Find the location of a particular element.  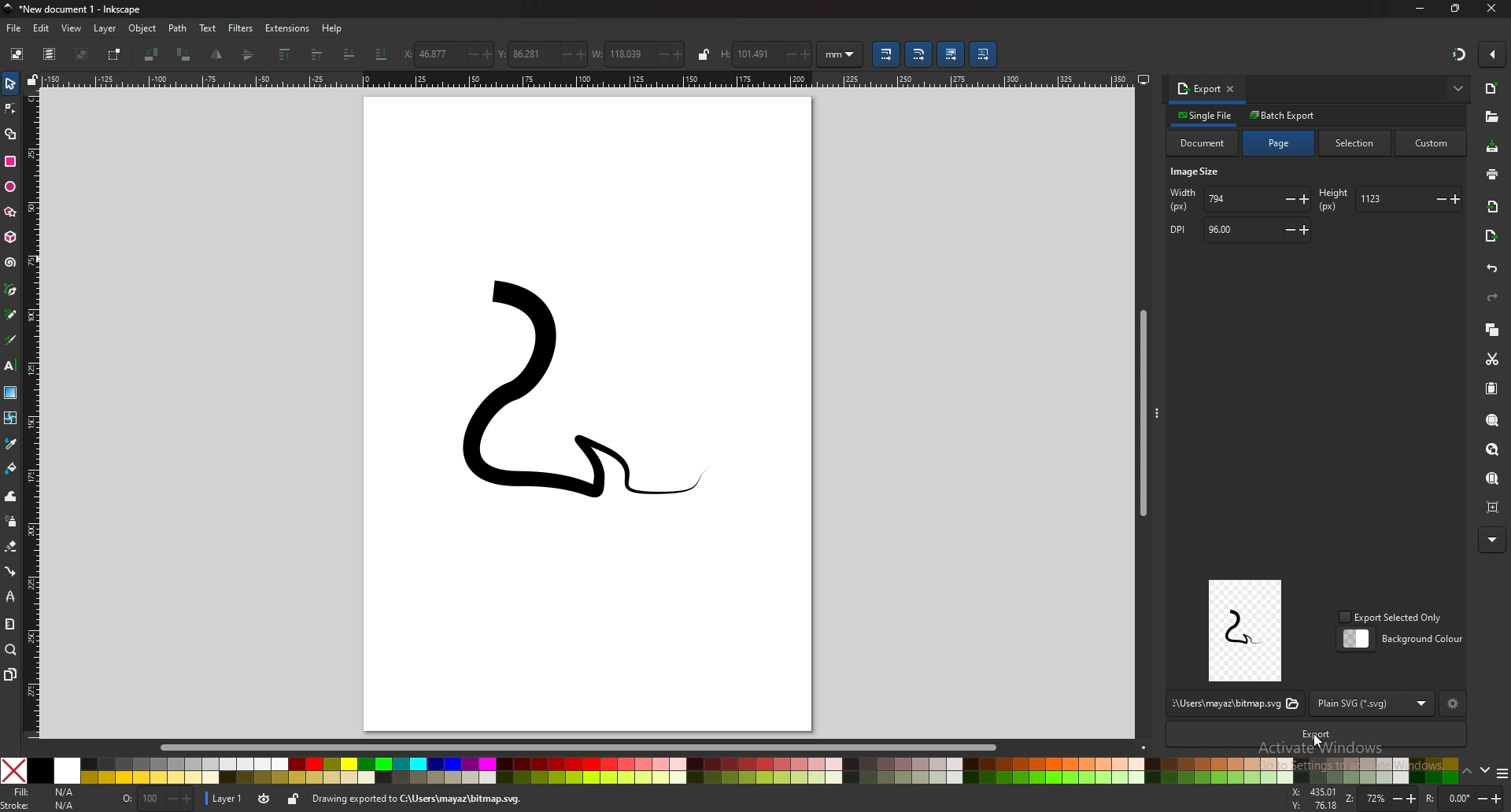

scroll bar is located at coordinates (590, 746).